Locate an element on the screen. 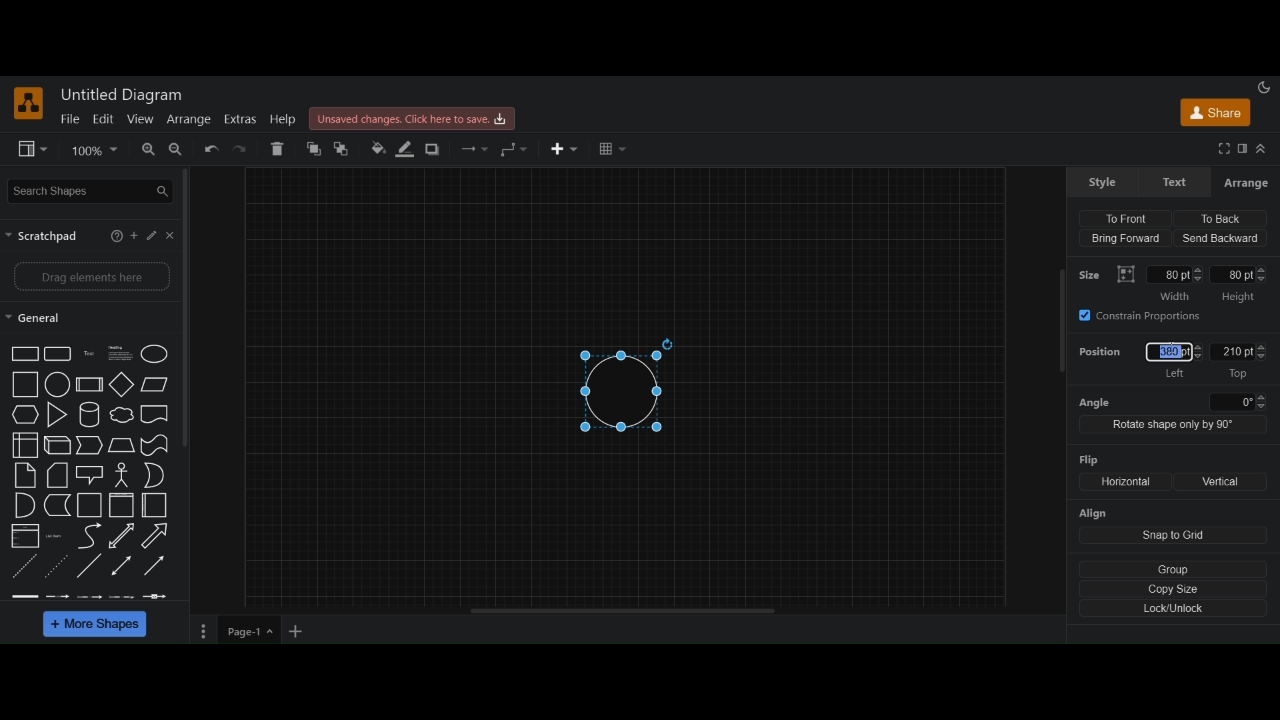  share is located at coordinates (1216, 114).